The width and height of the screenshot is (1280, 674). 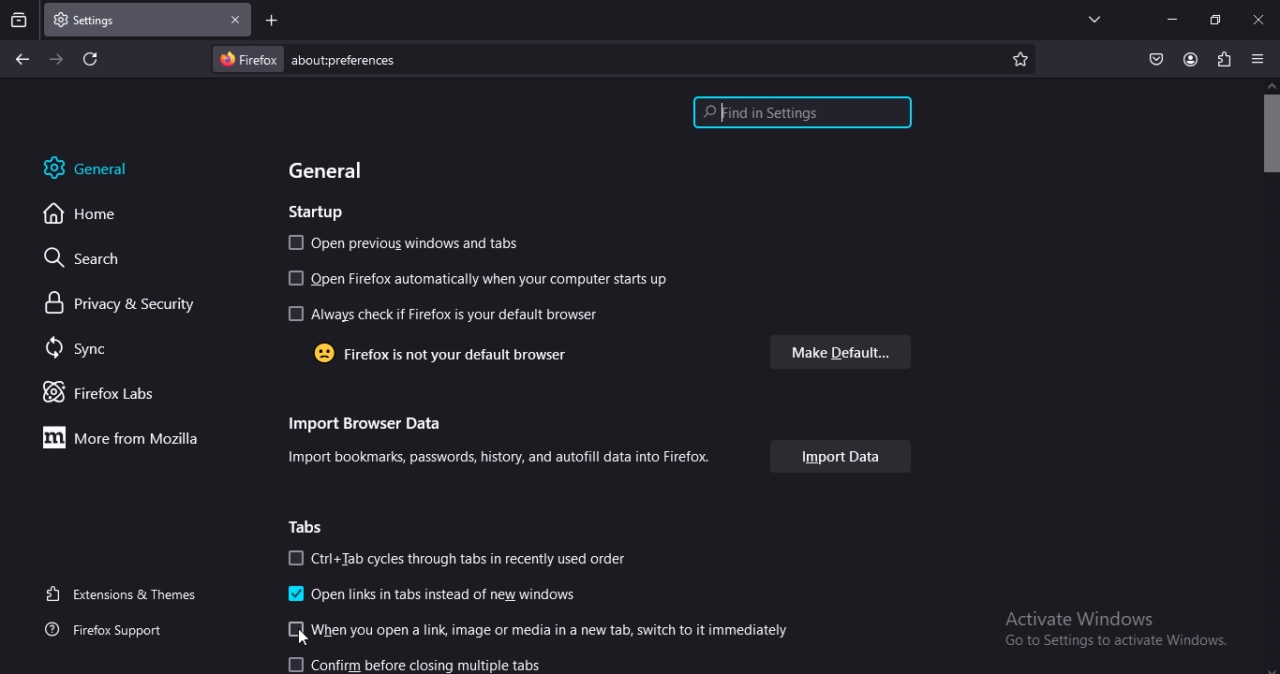 I want to click on When you open a link, image or media in a new tab, switch to it immediately, so click(x=532, y=629).